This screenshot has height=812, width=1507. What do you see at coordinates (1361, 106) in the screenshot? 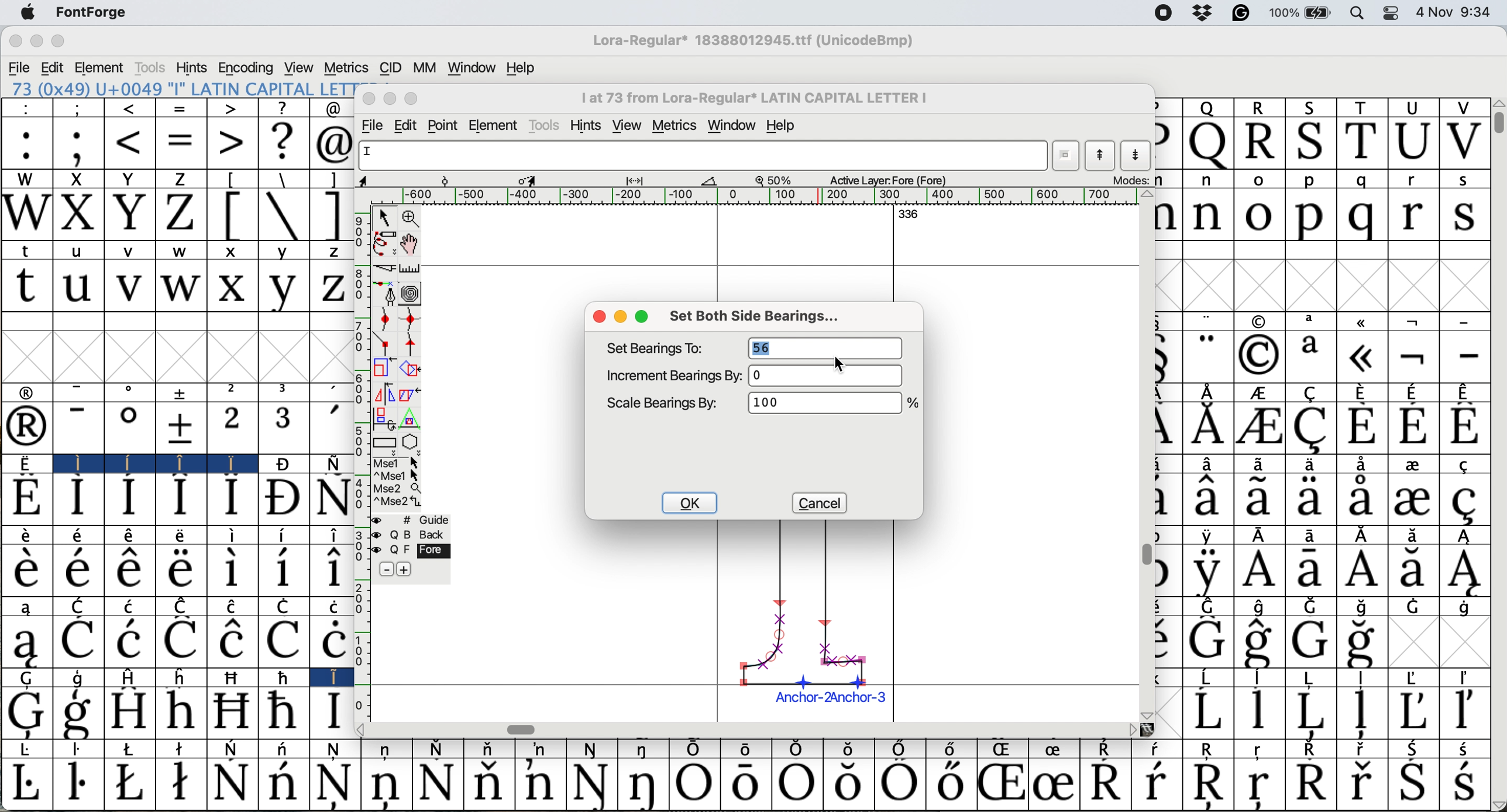
I see `T` at bounding box center [1361, 106].